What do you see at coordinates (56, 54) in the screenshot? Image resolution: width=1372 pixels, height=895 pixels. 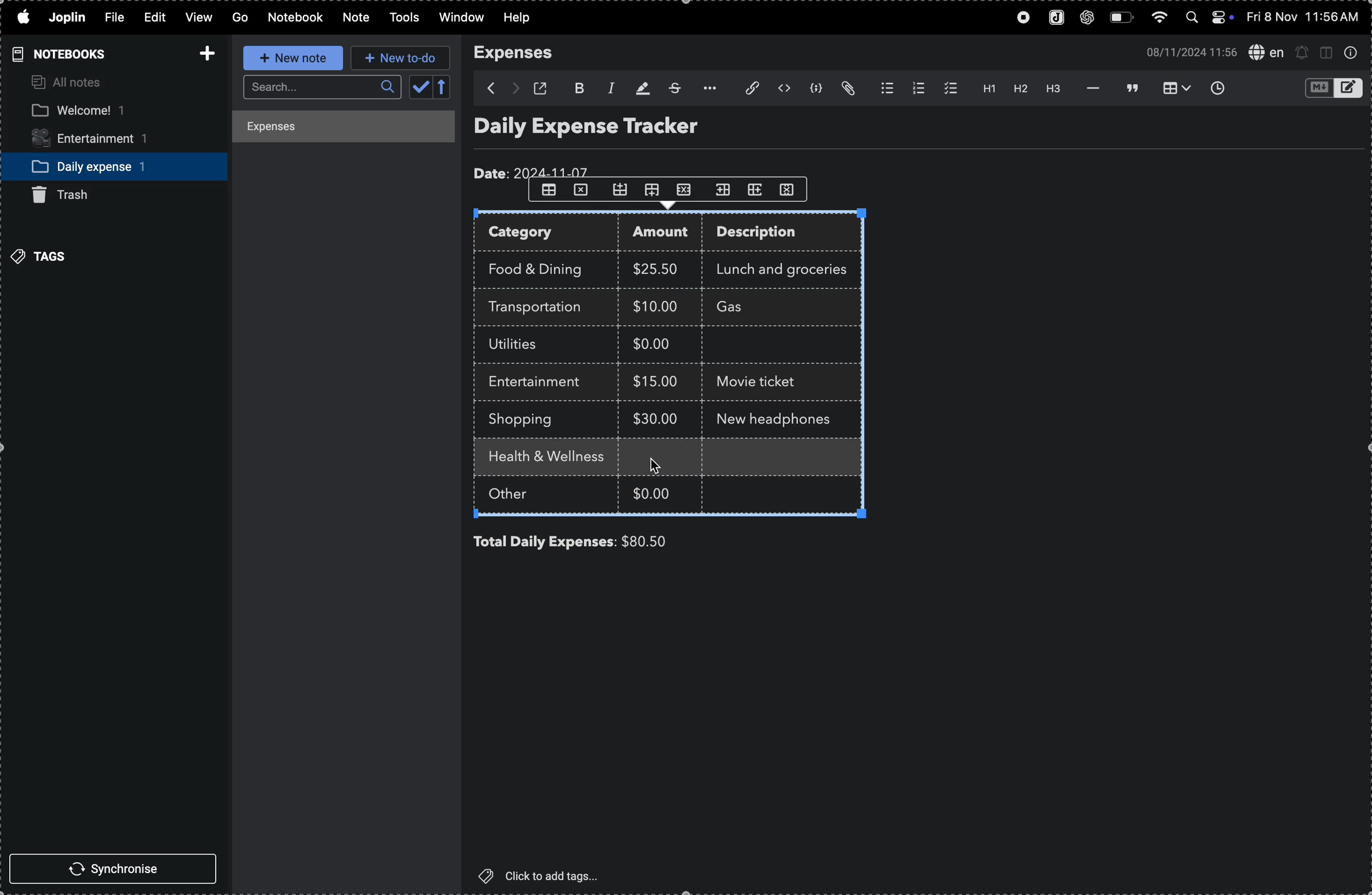 I see `notebooks` at bounding box center [56, 54].